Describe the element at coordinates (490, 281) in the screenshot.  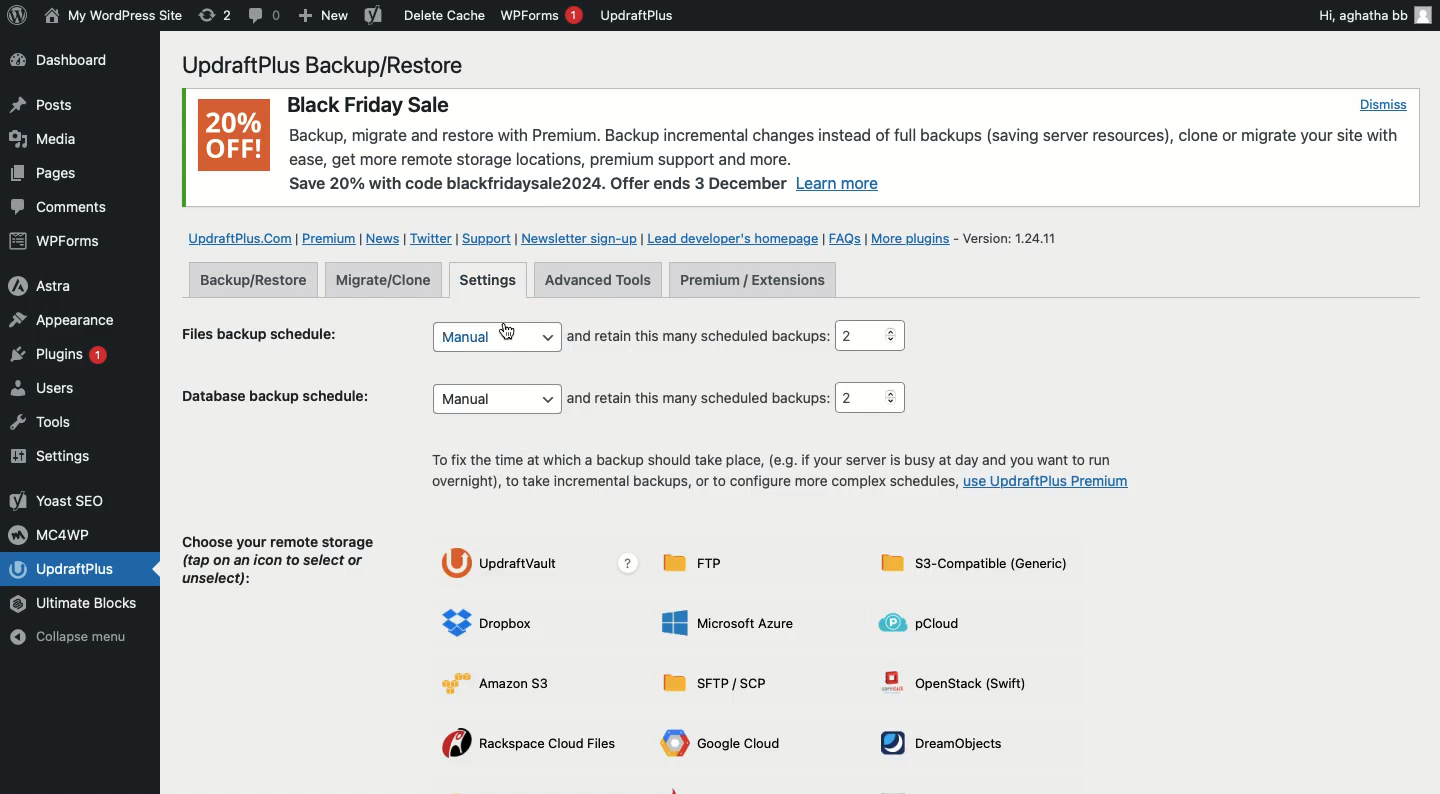
I see `Settings` at that location.